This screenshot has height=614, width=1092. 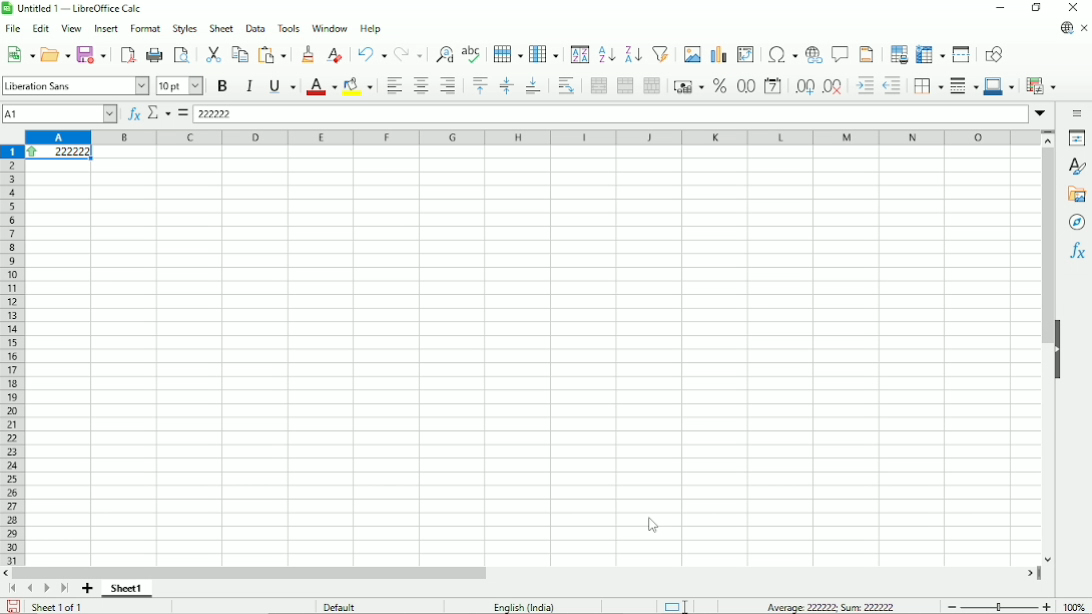 What do you see at coordinates (344, 606) in the screenshot?
I see `Default` at bounding box center [344, 606].